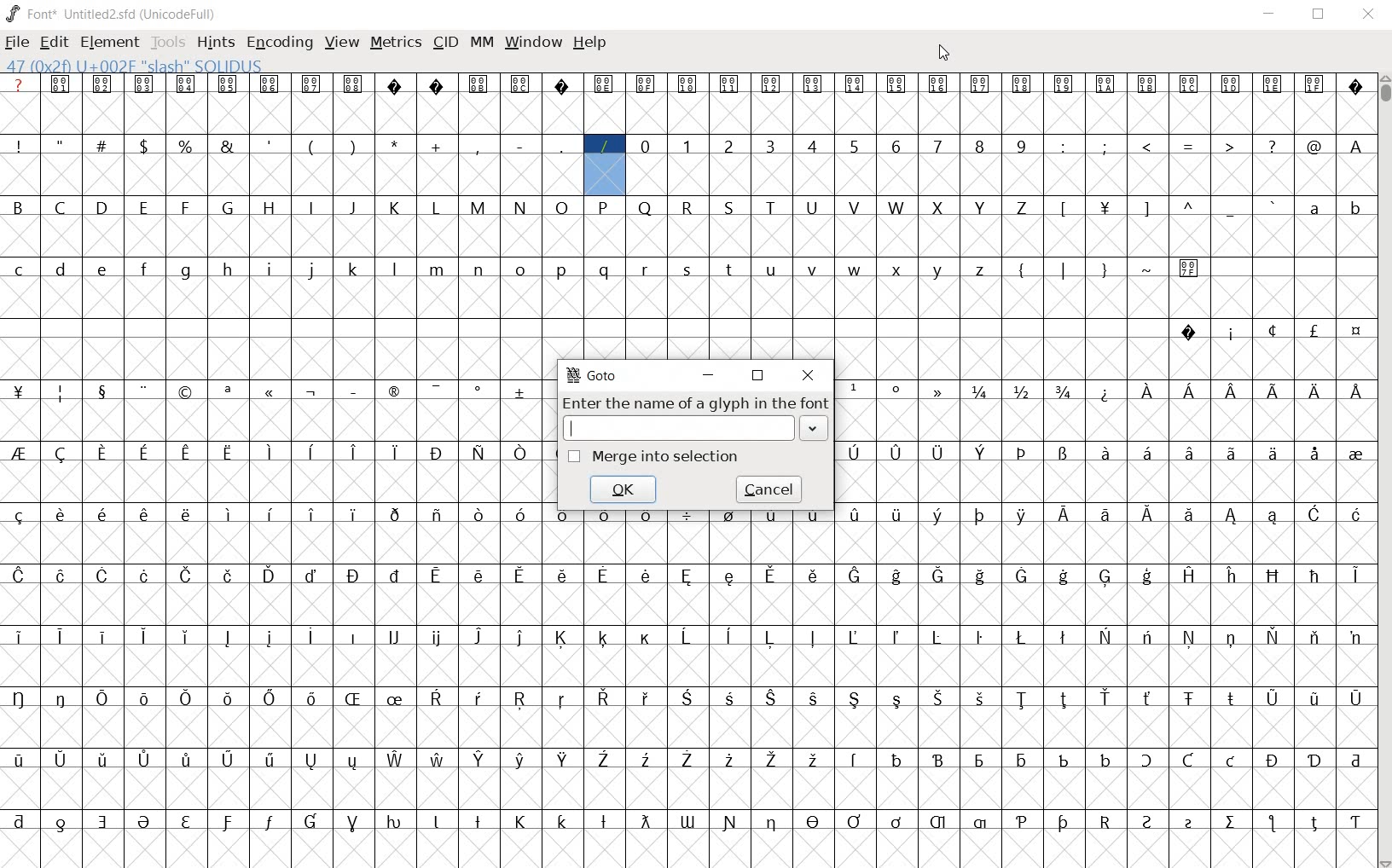  I want to click on glyph, so click(17, 206).